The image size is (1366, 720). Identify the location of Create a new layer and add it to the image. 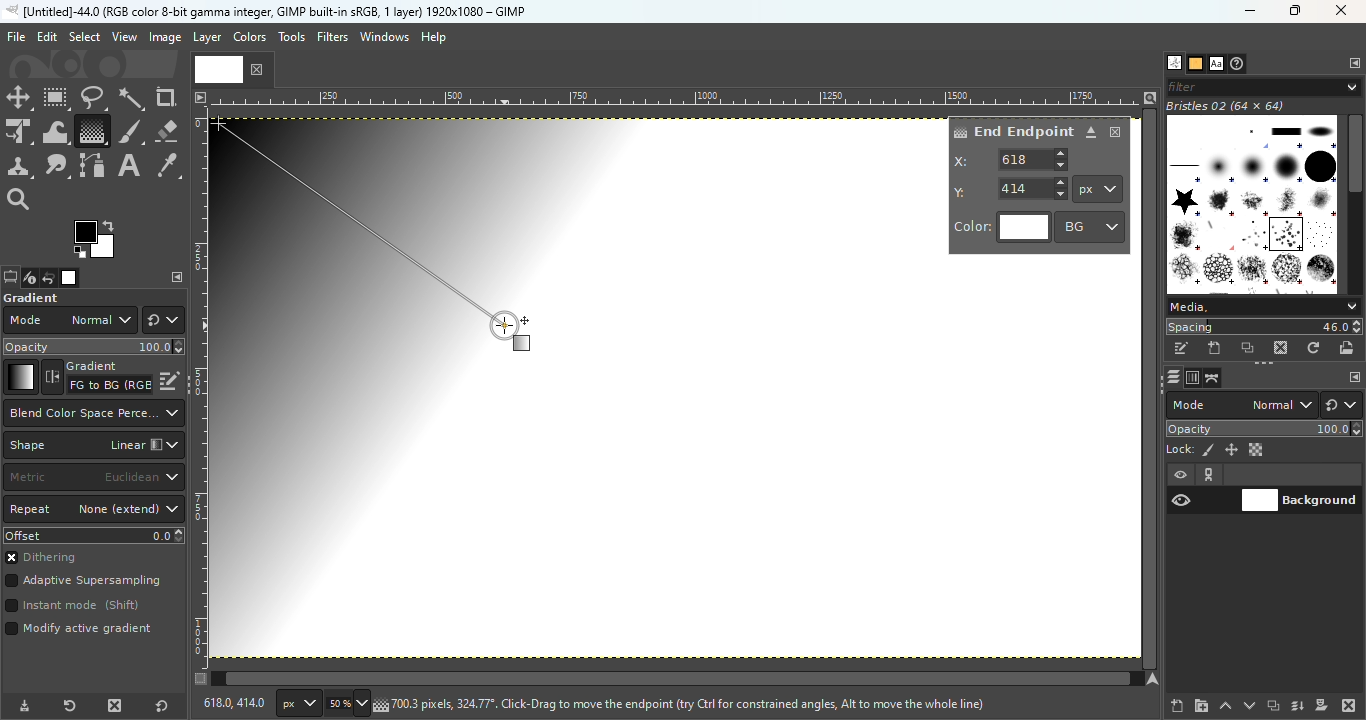
(1178, 706).